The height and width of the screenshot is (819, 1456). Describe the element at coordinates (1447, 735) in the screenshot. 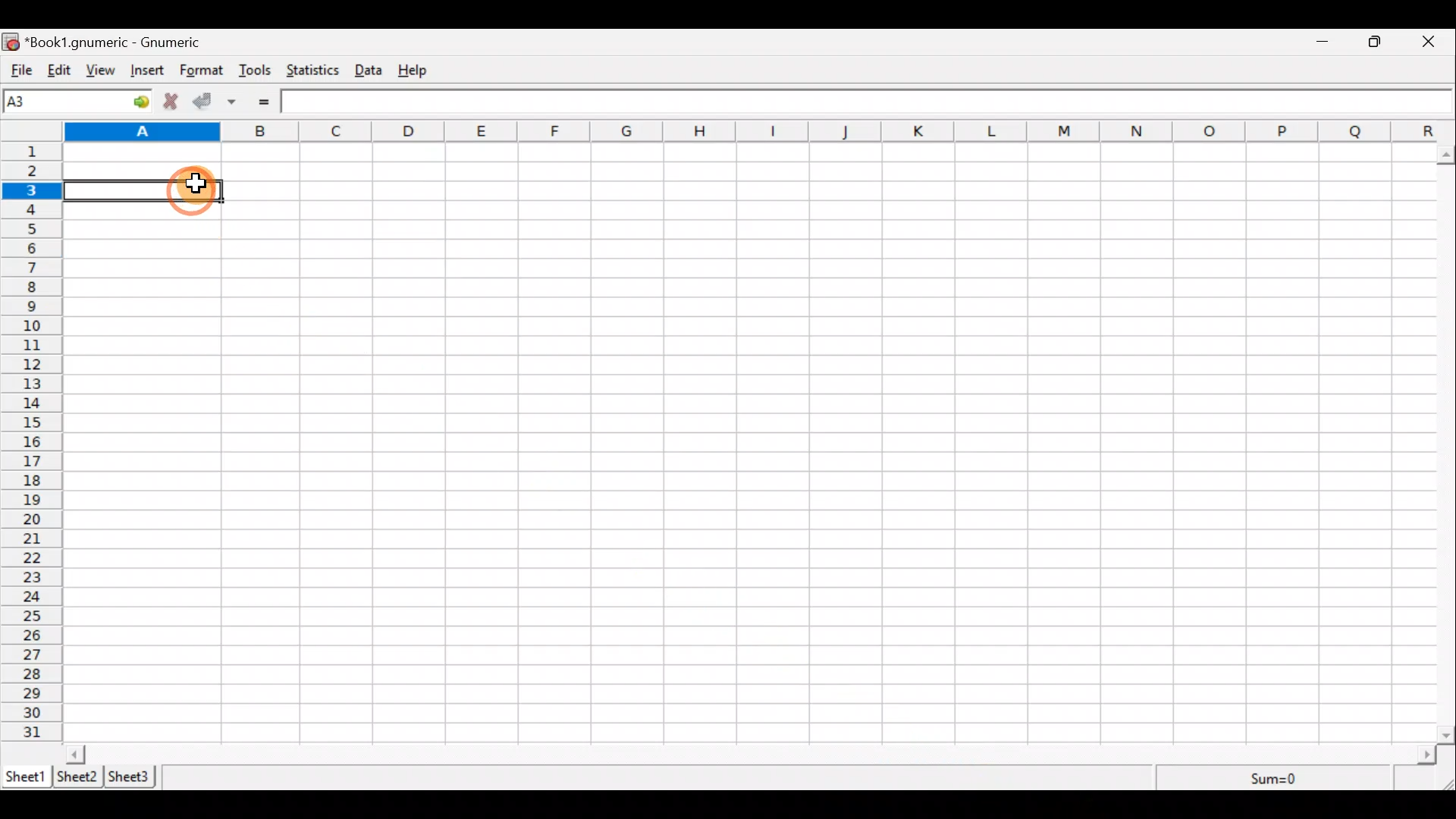

I see `scroll down` at that location.